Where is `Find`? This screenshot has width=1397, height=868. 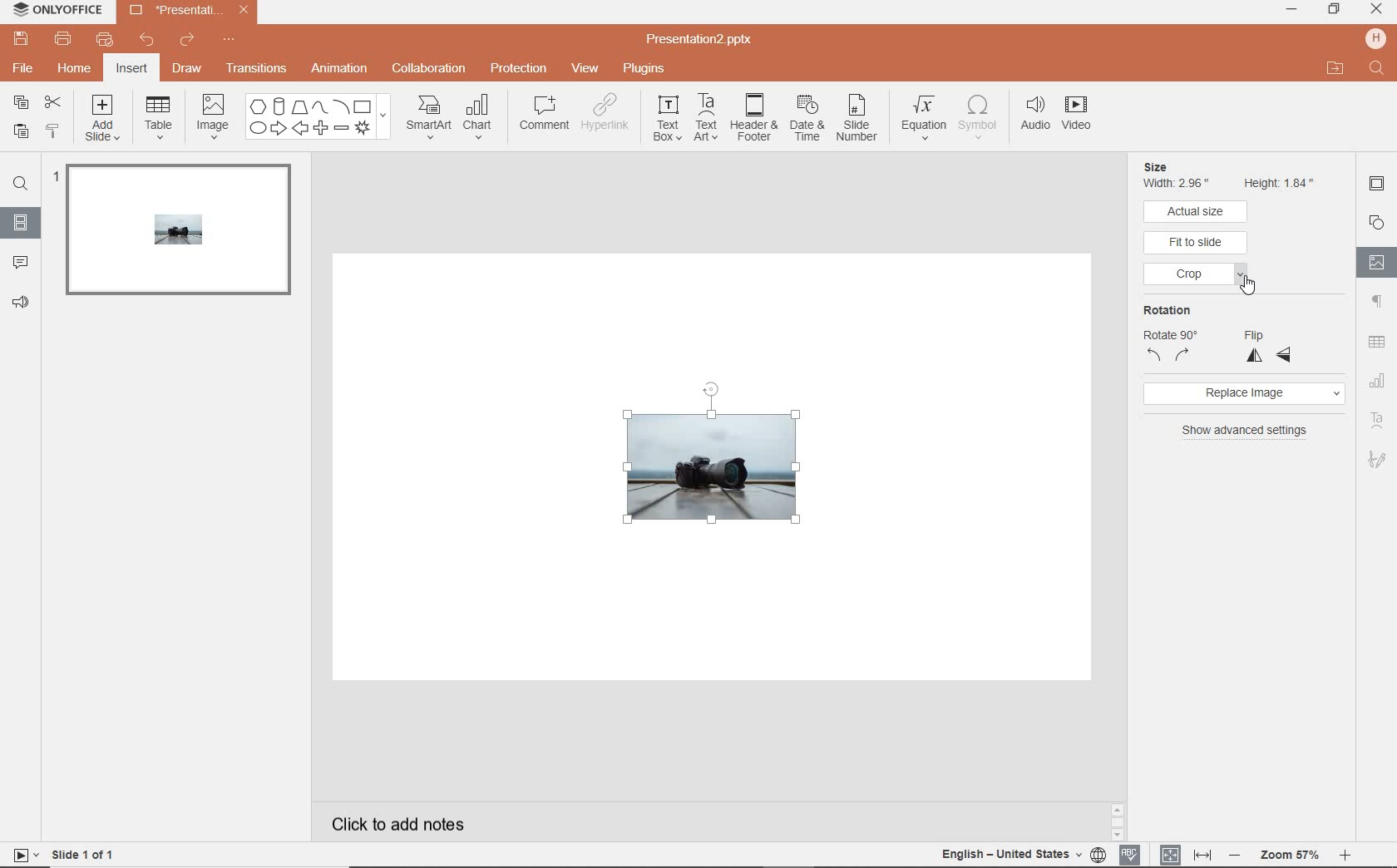
Find is located at coordinates (1375, 68).